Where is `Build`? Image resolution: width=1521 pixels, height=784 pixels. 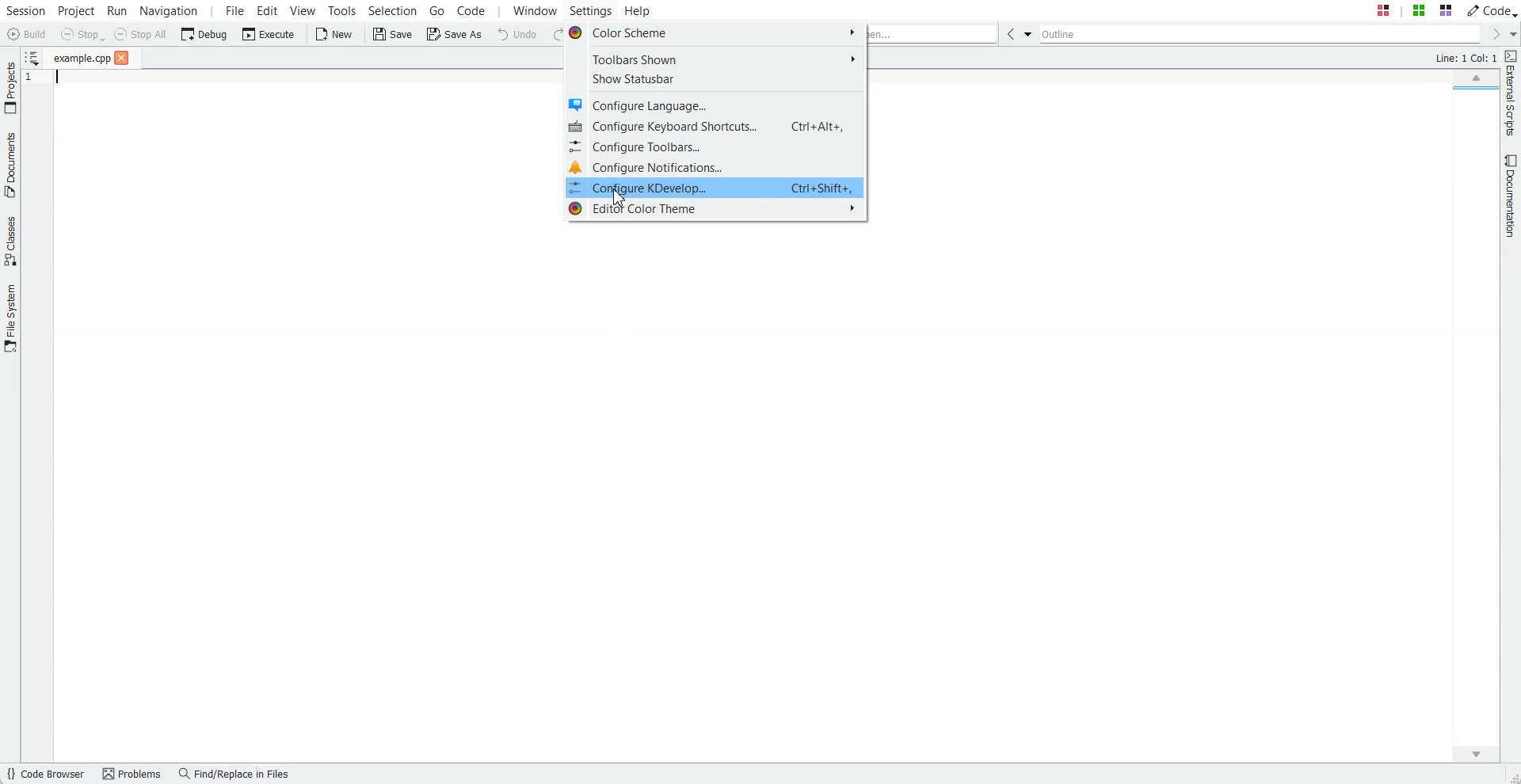
Build is located at coordinates (25, 34).